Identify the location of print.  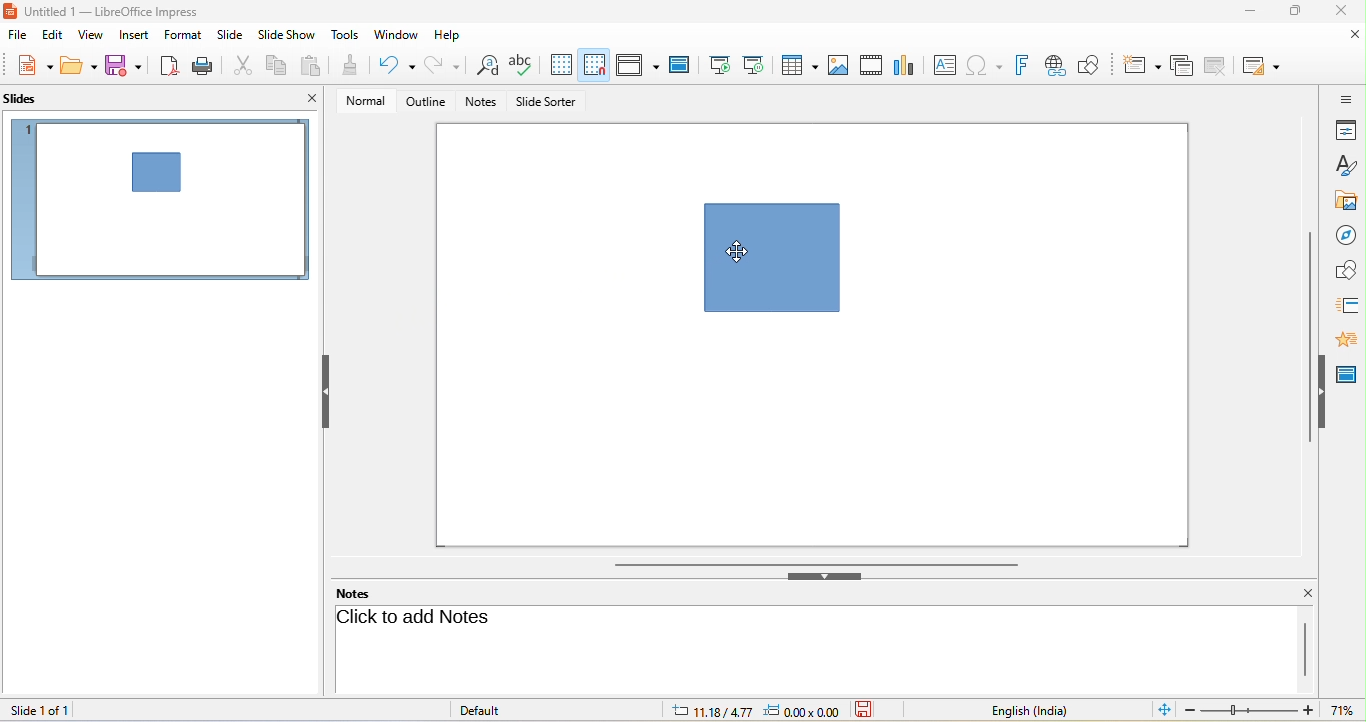
(199, 65).